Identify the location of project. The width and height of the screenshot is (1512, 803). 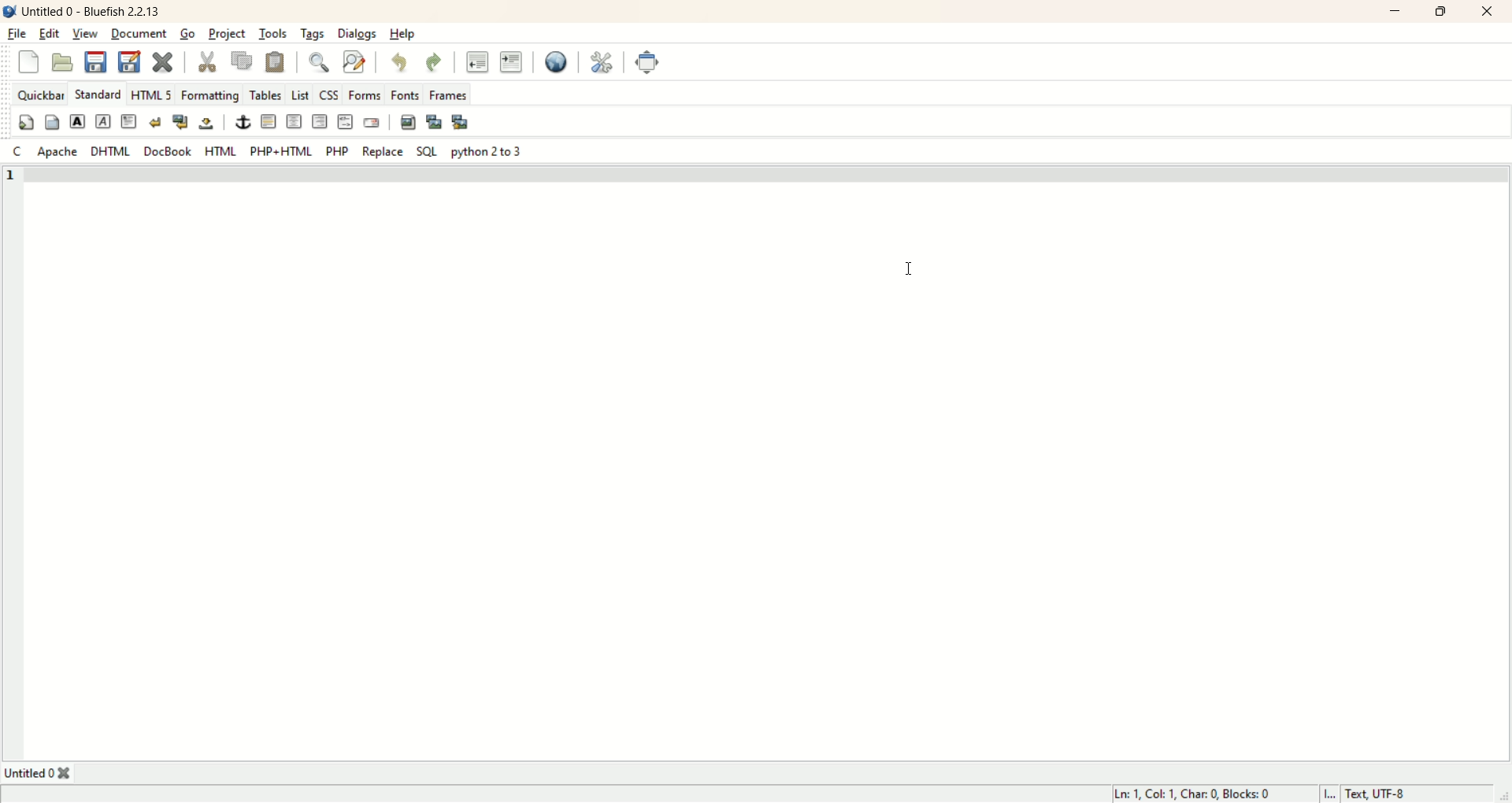
(228, 34).